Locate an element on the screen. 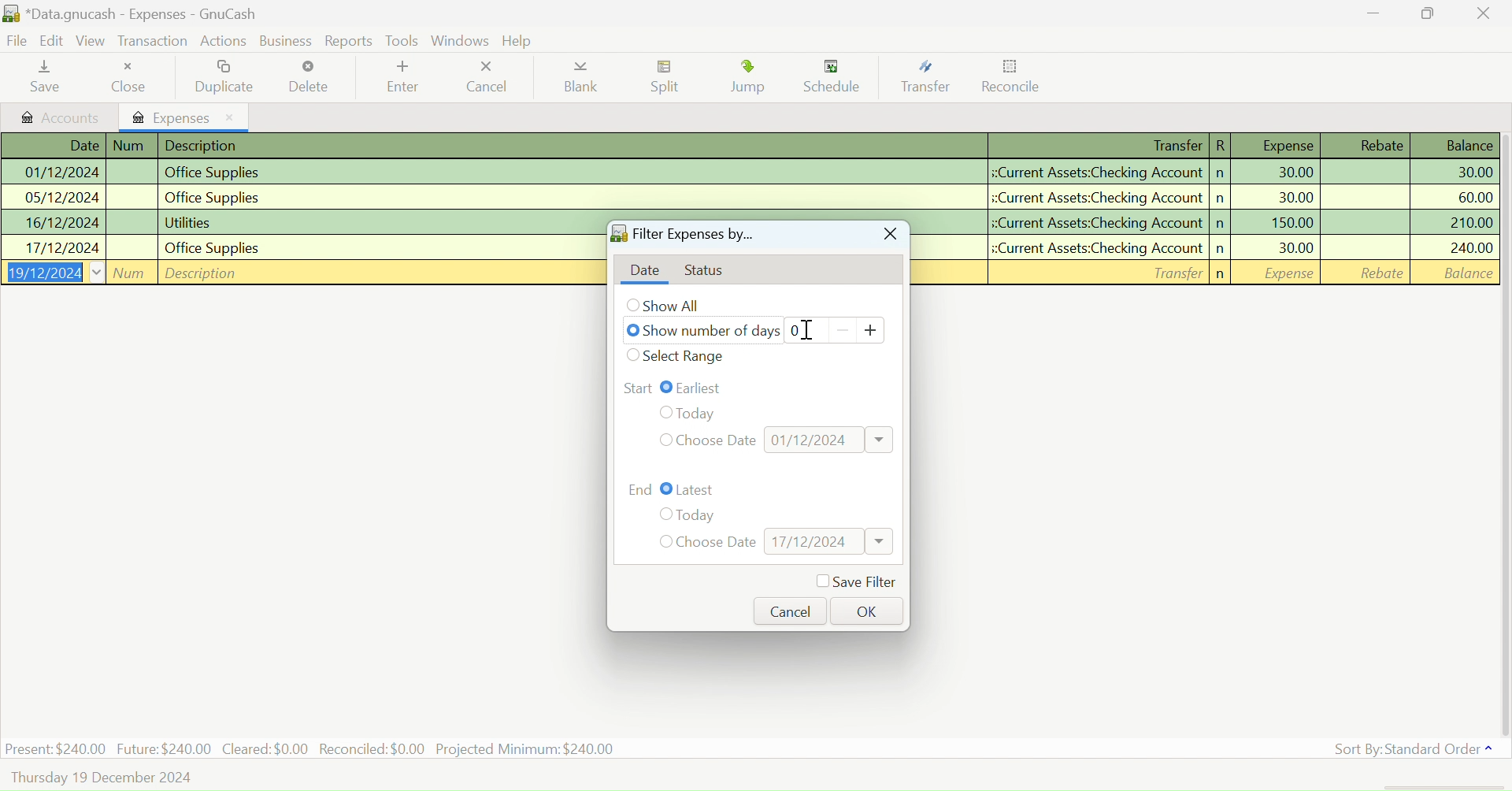 The height and width of the screenshot is (791, 1512). Jump is located at coordinates (751, 80).